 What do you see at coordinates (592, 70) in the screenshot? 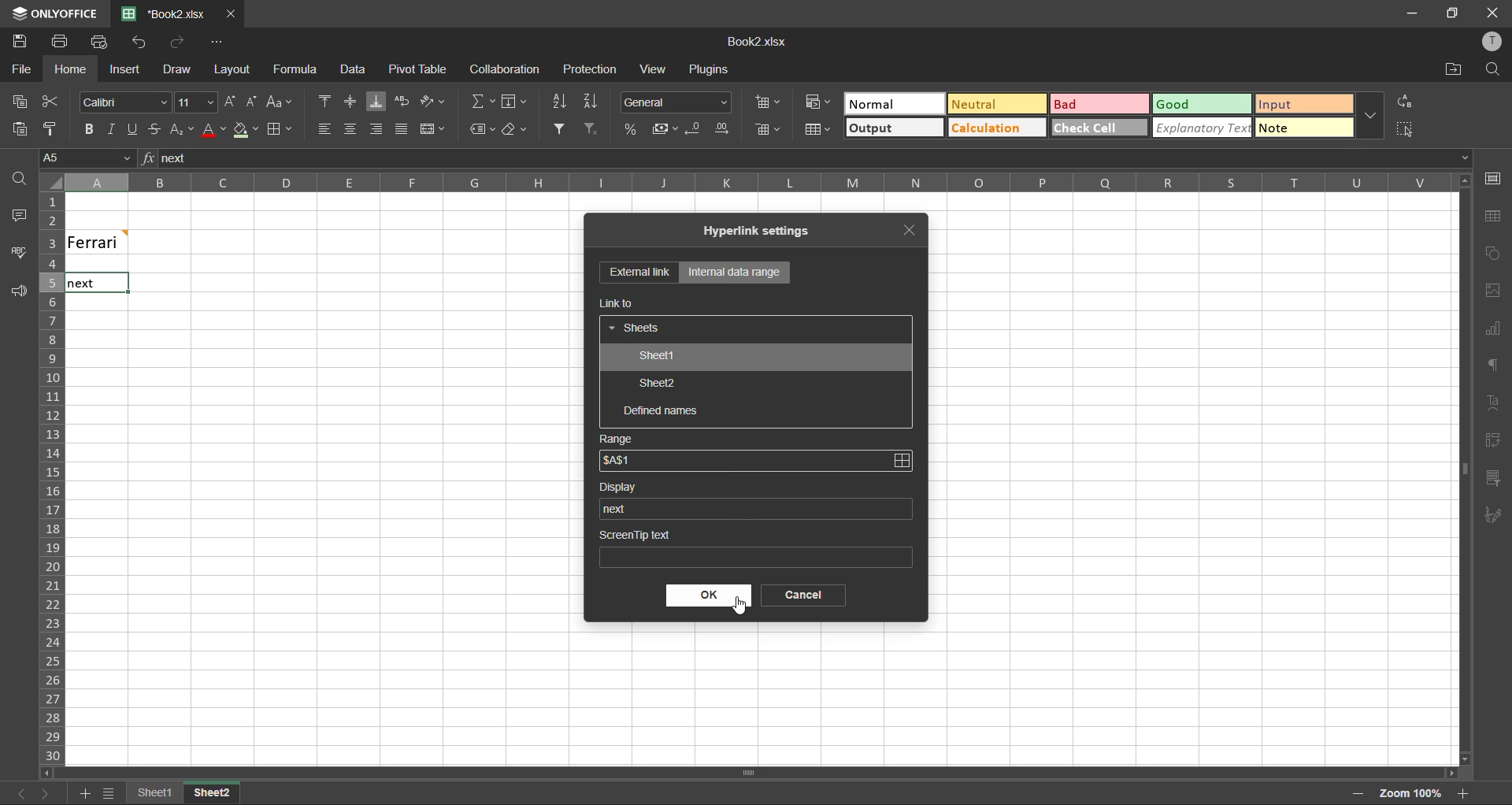
I see `protection` at bounding box center [592, 70].